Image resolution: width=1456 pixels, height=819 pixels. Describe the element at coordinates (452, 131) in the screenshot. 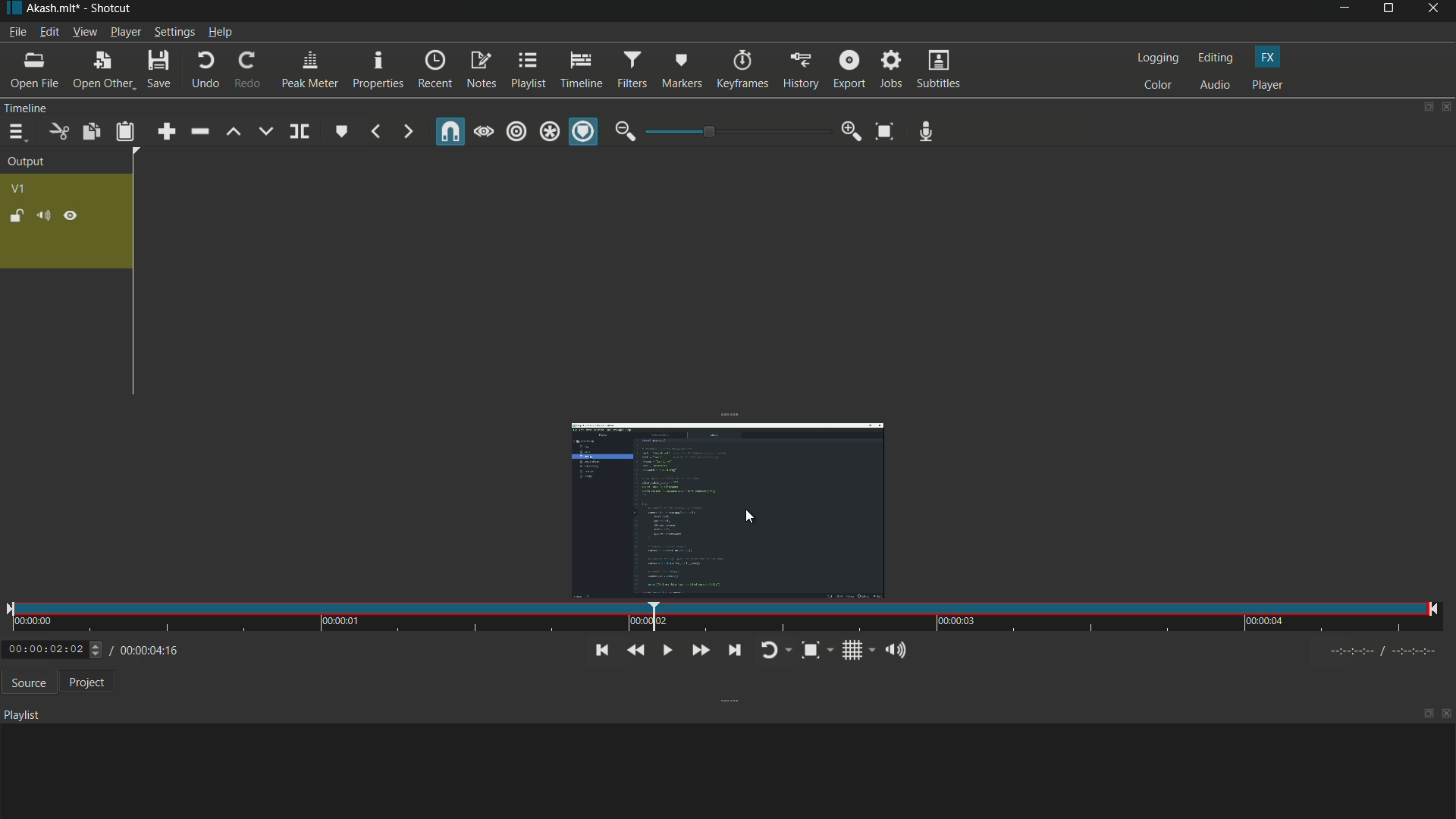

I see `snap` at that location.